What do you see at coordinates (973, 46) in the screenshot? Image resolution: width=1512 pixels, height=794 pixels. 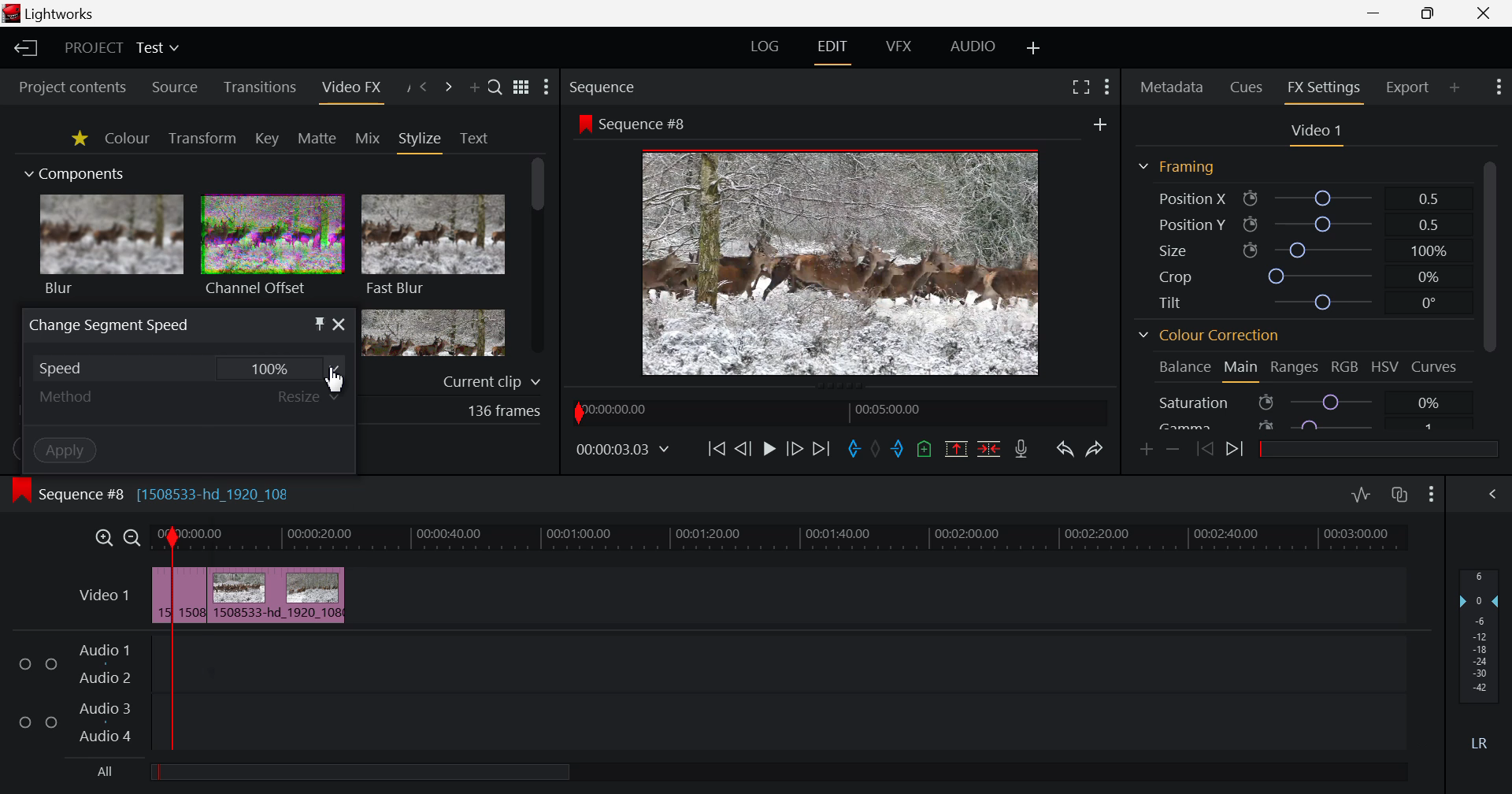 I see `AUDIO Layout` at bounding box center [973, 46].